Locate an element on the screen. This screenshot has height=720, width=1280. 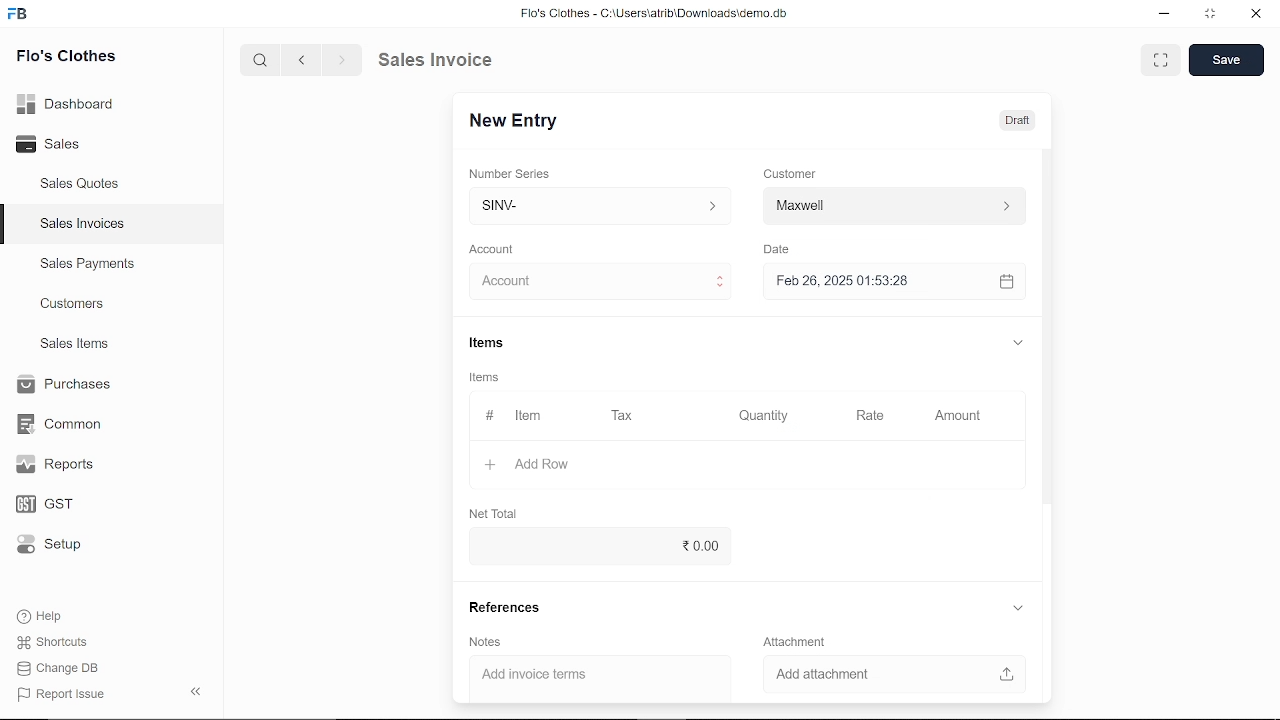
Feb 26, 2025 01:53:28 is located at coordinates (870, 282).